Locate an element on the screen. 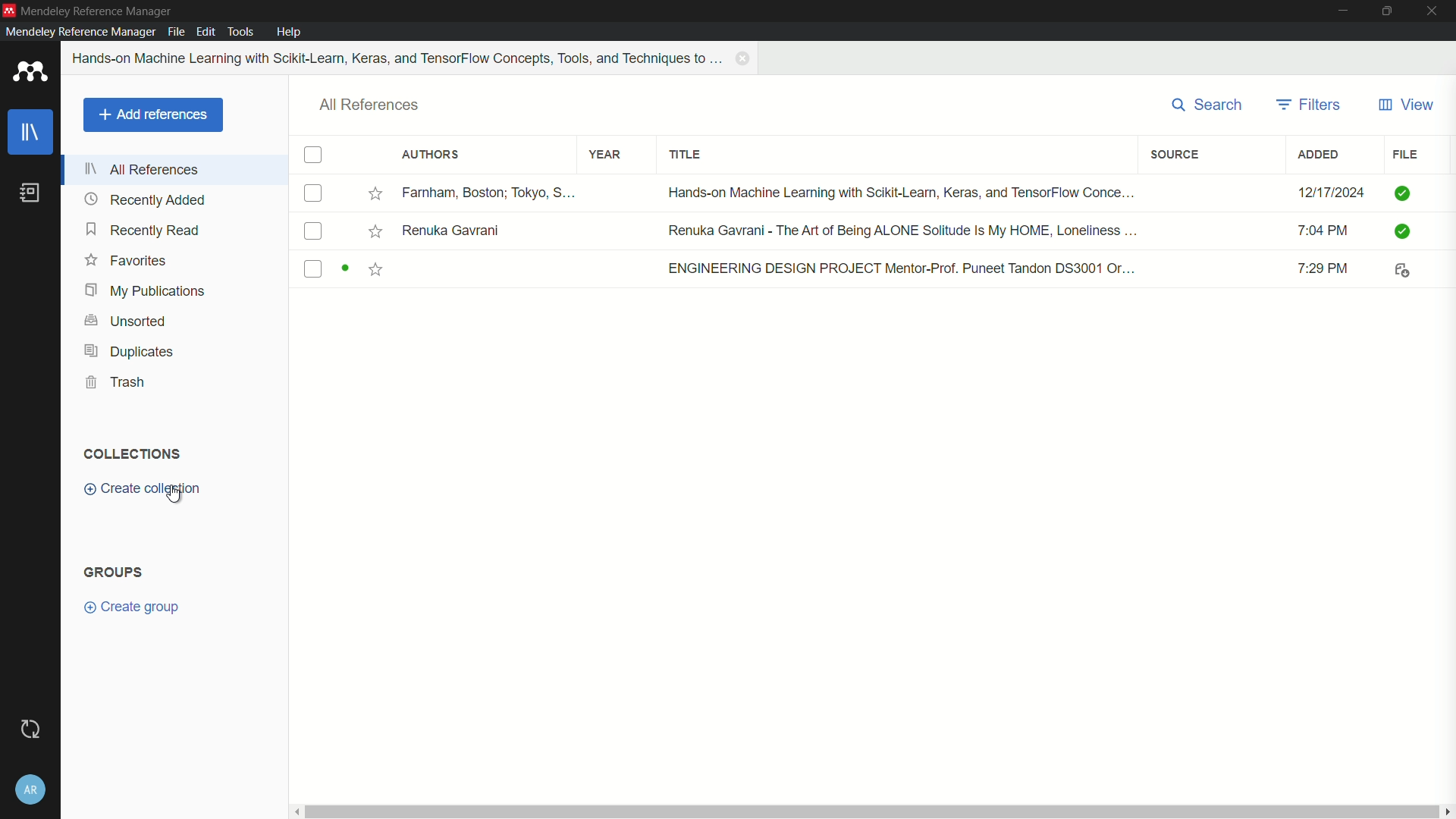 The height and width of the screenshot is (819, 1456). all references is located at coordinates (370, 105).